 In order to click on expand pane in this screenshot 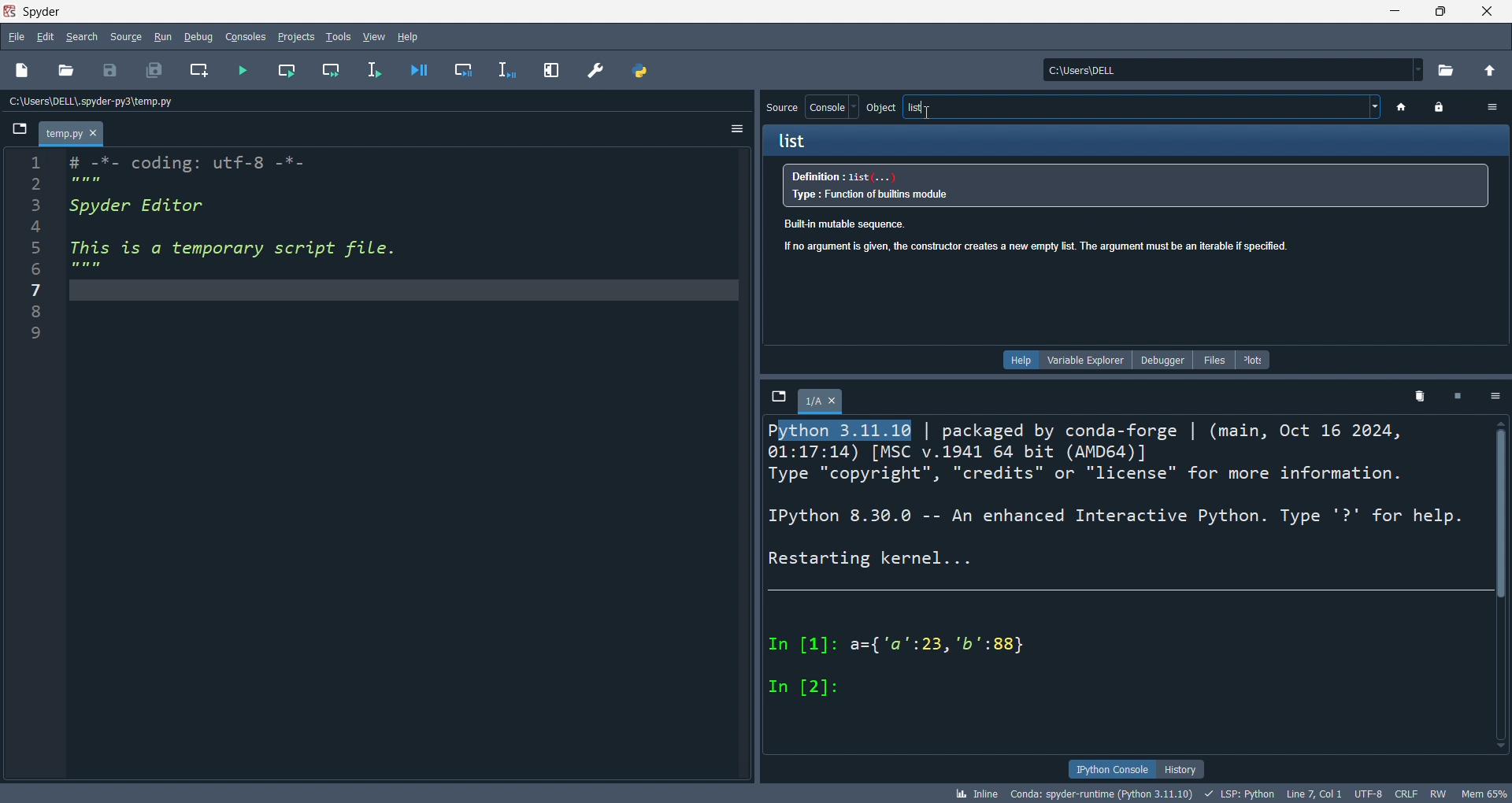, I will do `click(548, 68)`.